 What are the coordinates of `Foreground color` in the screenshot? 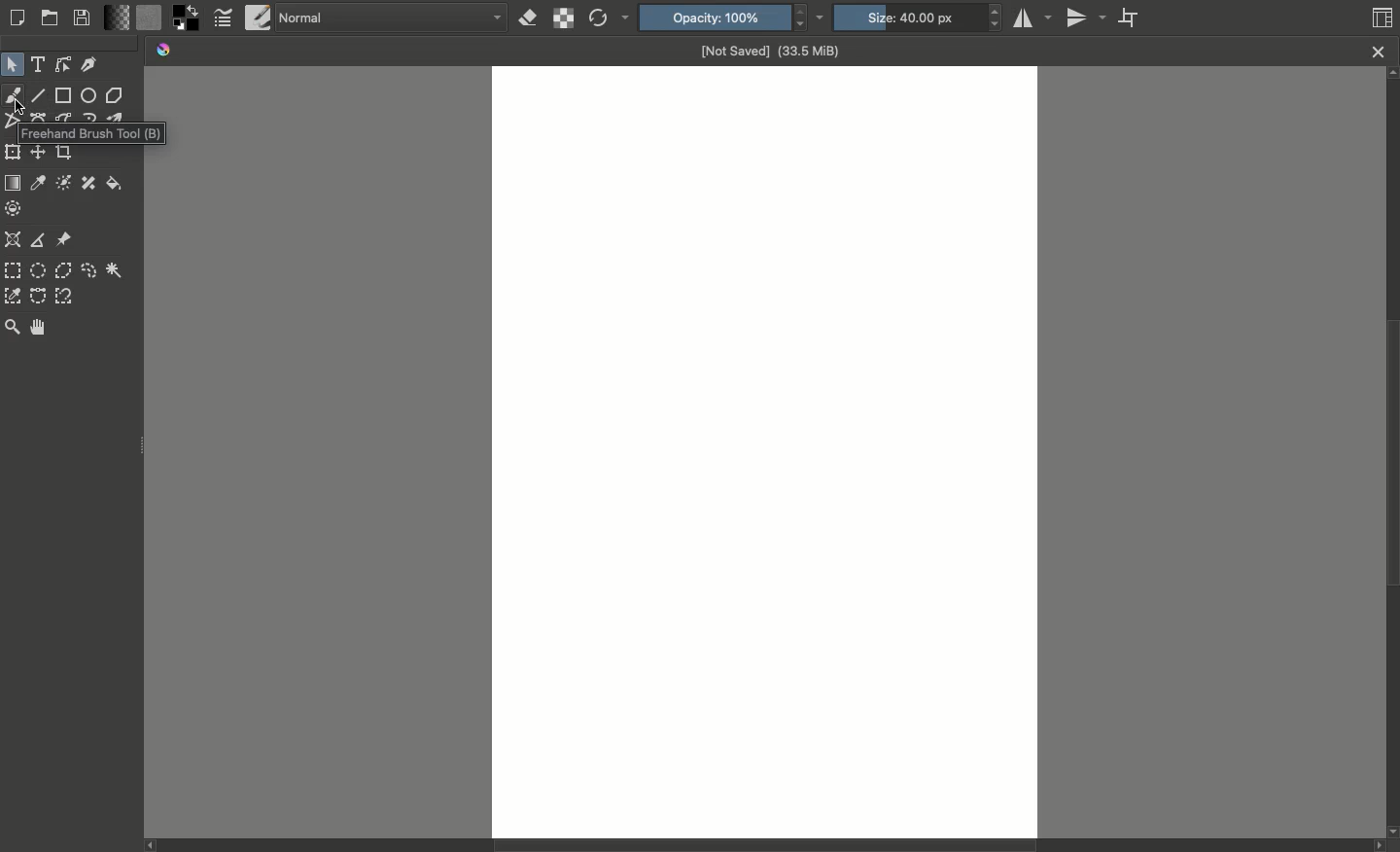 It's located at (185, 18).